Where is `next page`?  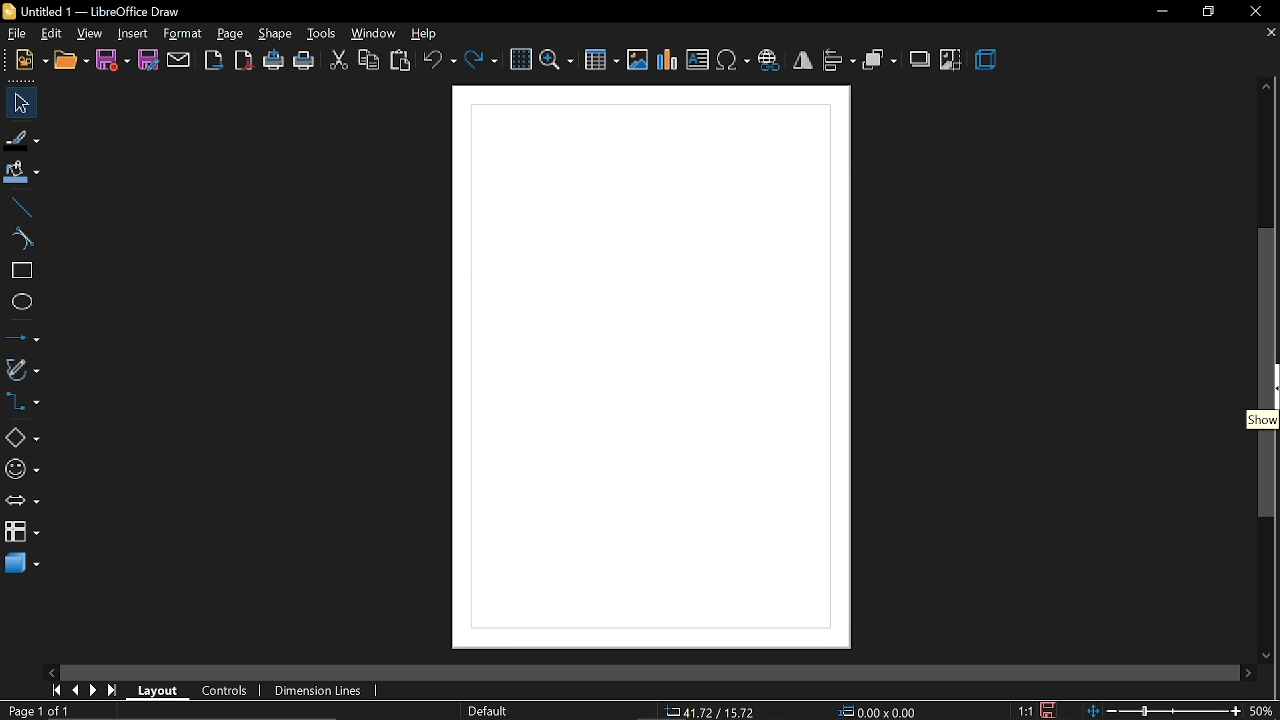 next page is located at coordinates (94, 691).